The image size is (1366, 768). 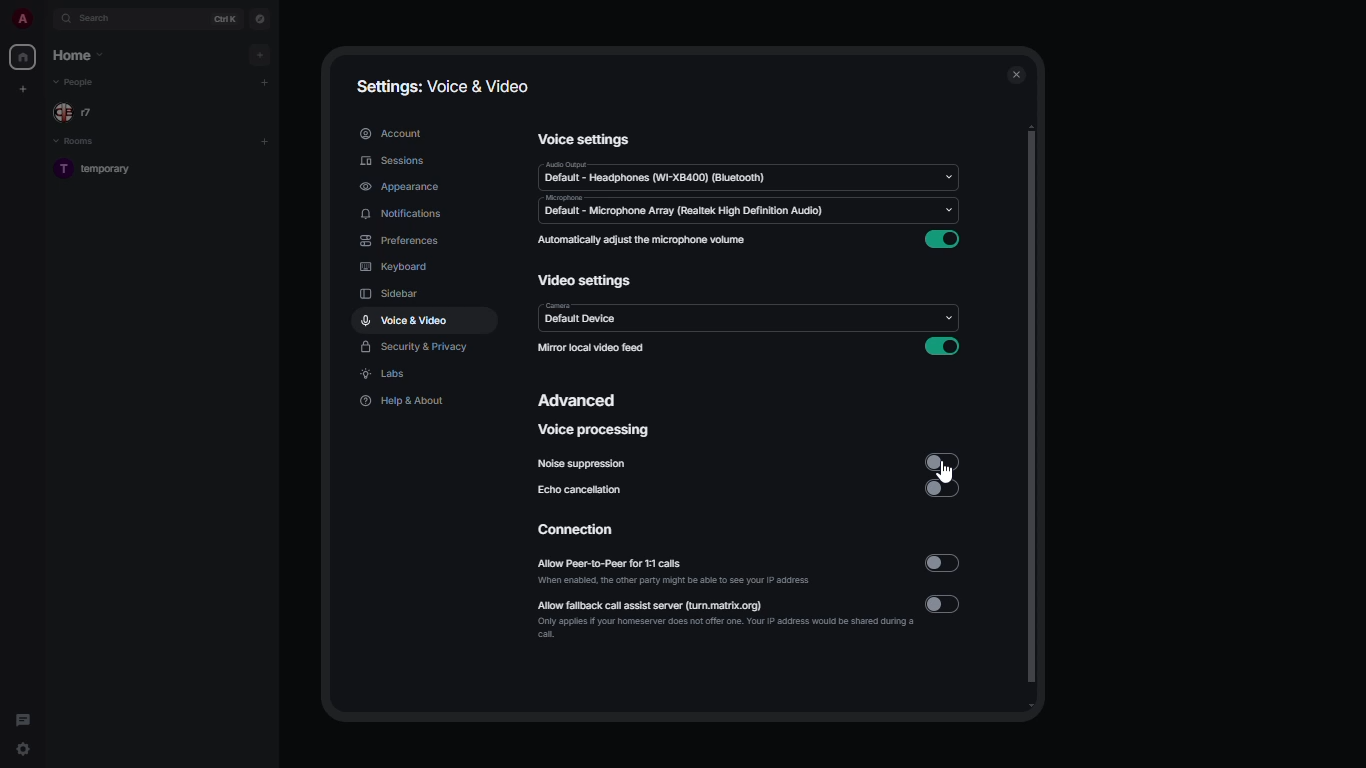 What do you see at coordinates (943, 241) in the screenshot?
I see `enabled` at bounding box center [943, 241].